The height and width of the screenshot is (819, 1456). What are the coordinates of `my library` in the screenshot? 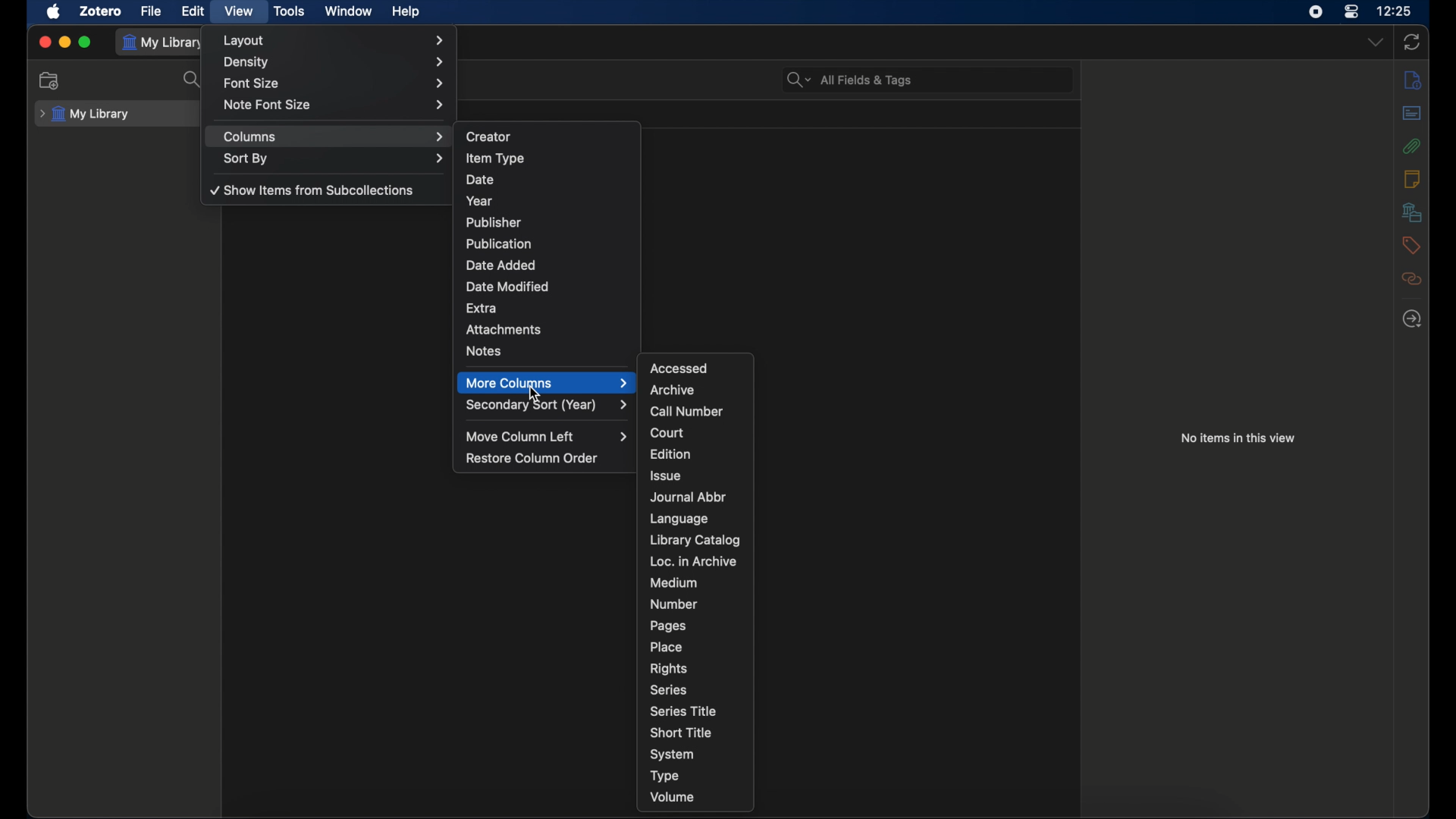 It's located at (85, 115).